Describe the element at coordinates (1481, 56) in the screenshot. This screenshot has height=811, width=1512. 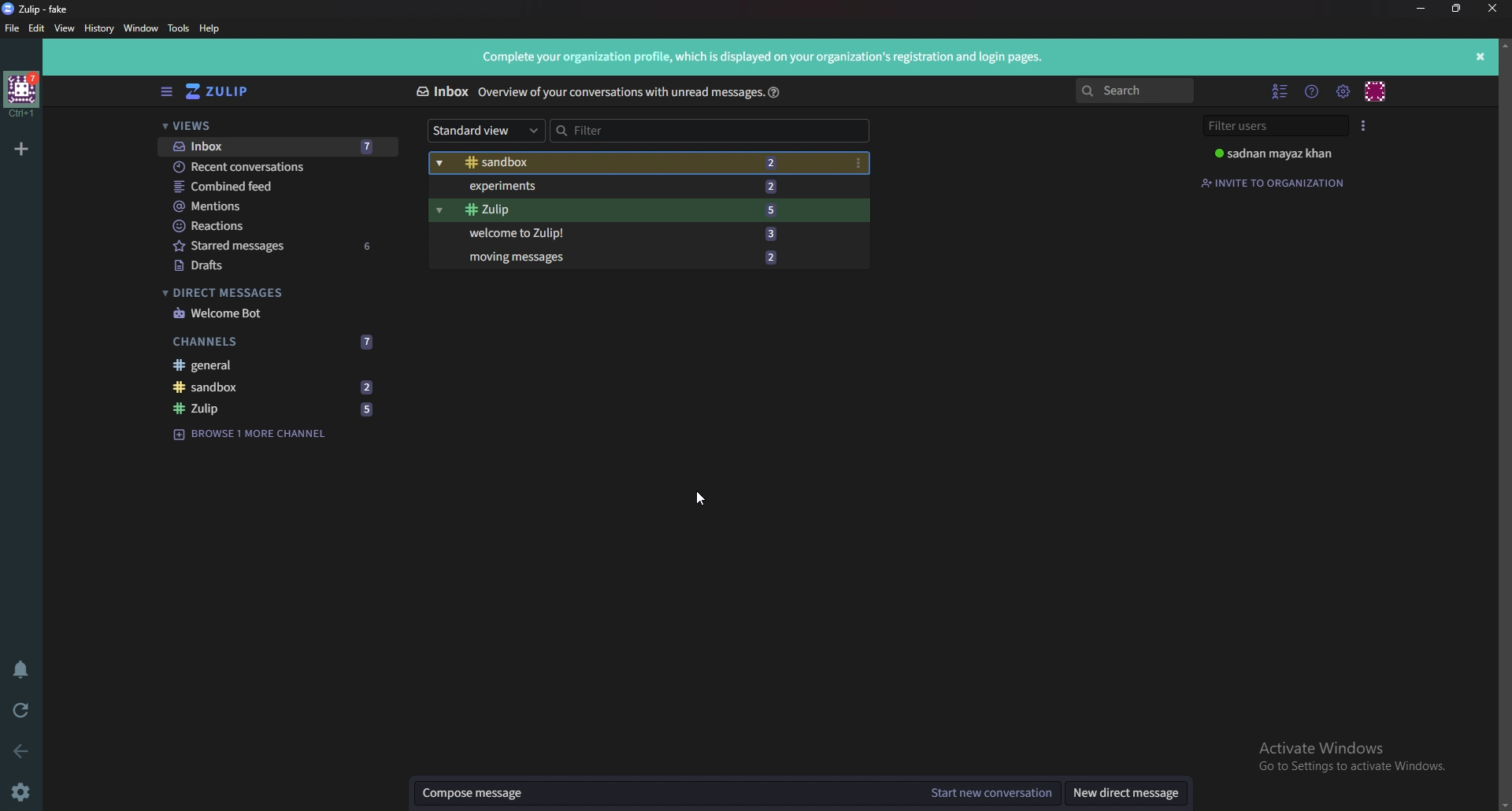
I see `close info` at that location.